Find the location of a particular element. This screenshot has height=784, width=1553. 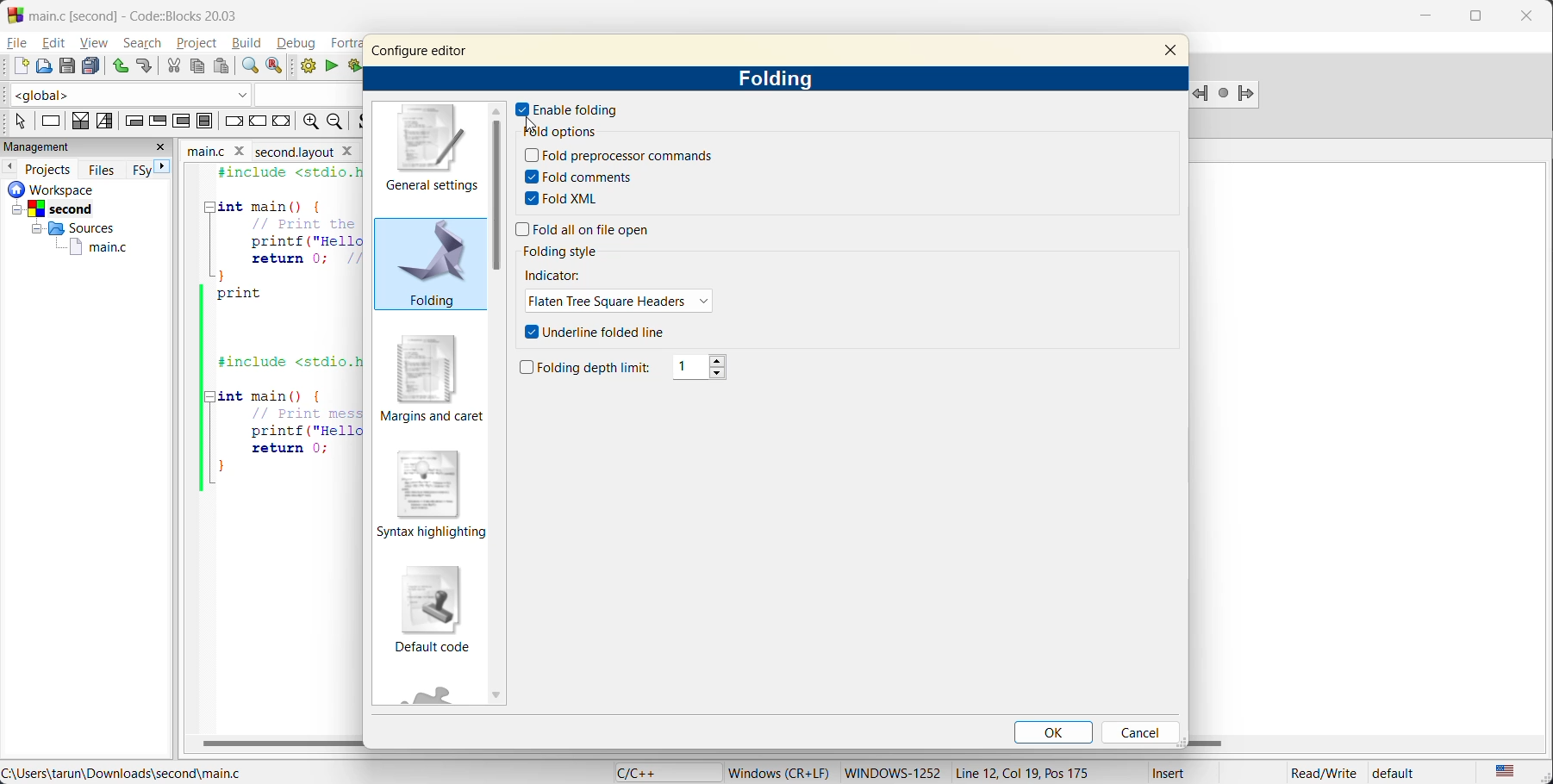

select is located at coordinates (14, 121).